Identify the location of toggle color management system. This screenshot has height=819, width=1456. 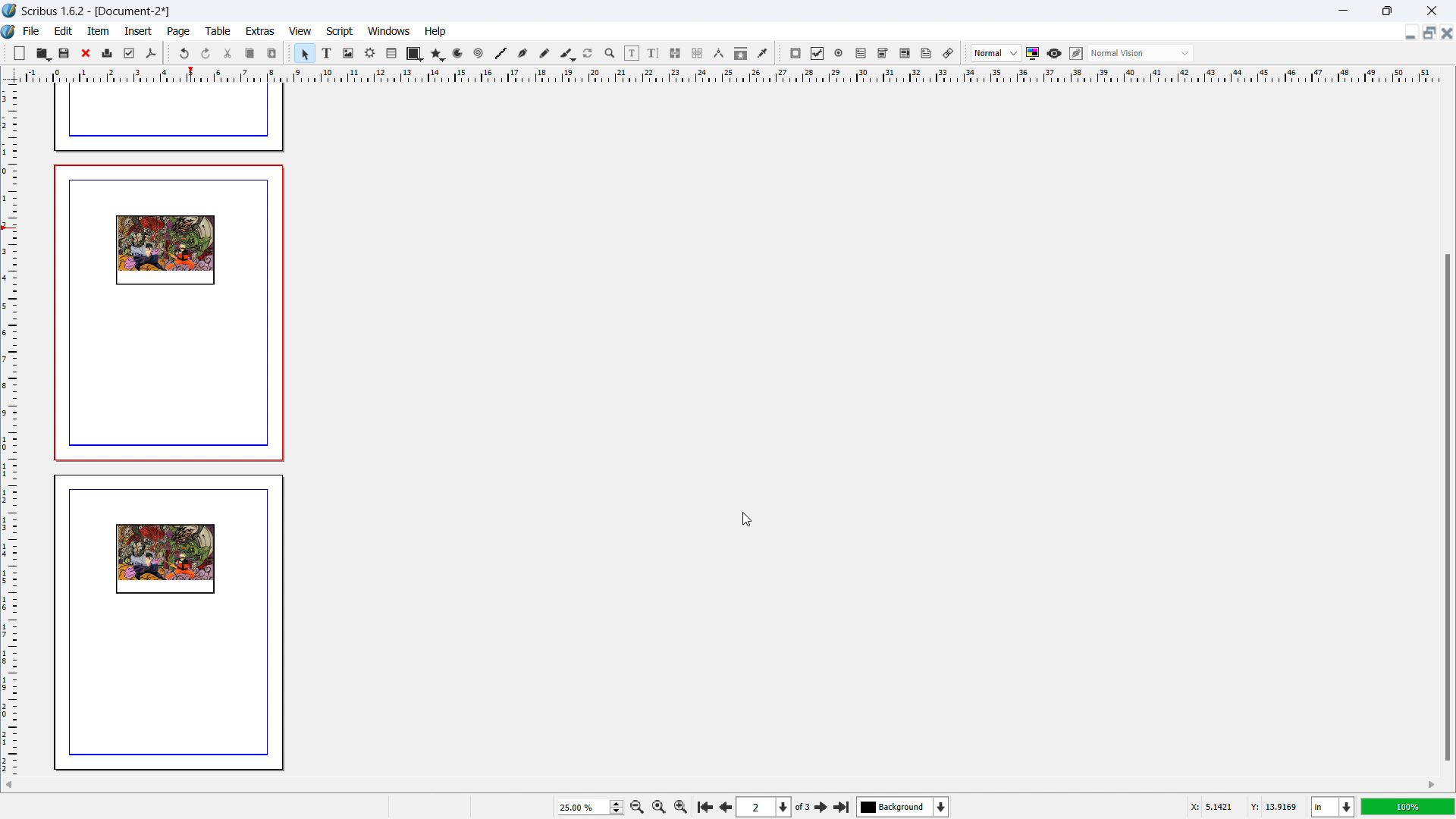
(1034, 53).